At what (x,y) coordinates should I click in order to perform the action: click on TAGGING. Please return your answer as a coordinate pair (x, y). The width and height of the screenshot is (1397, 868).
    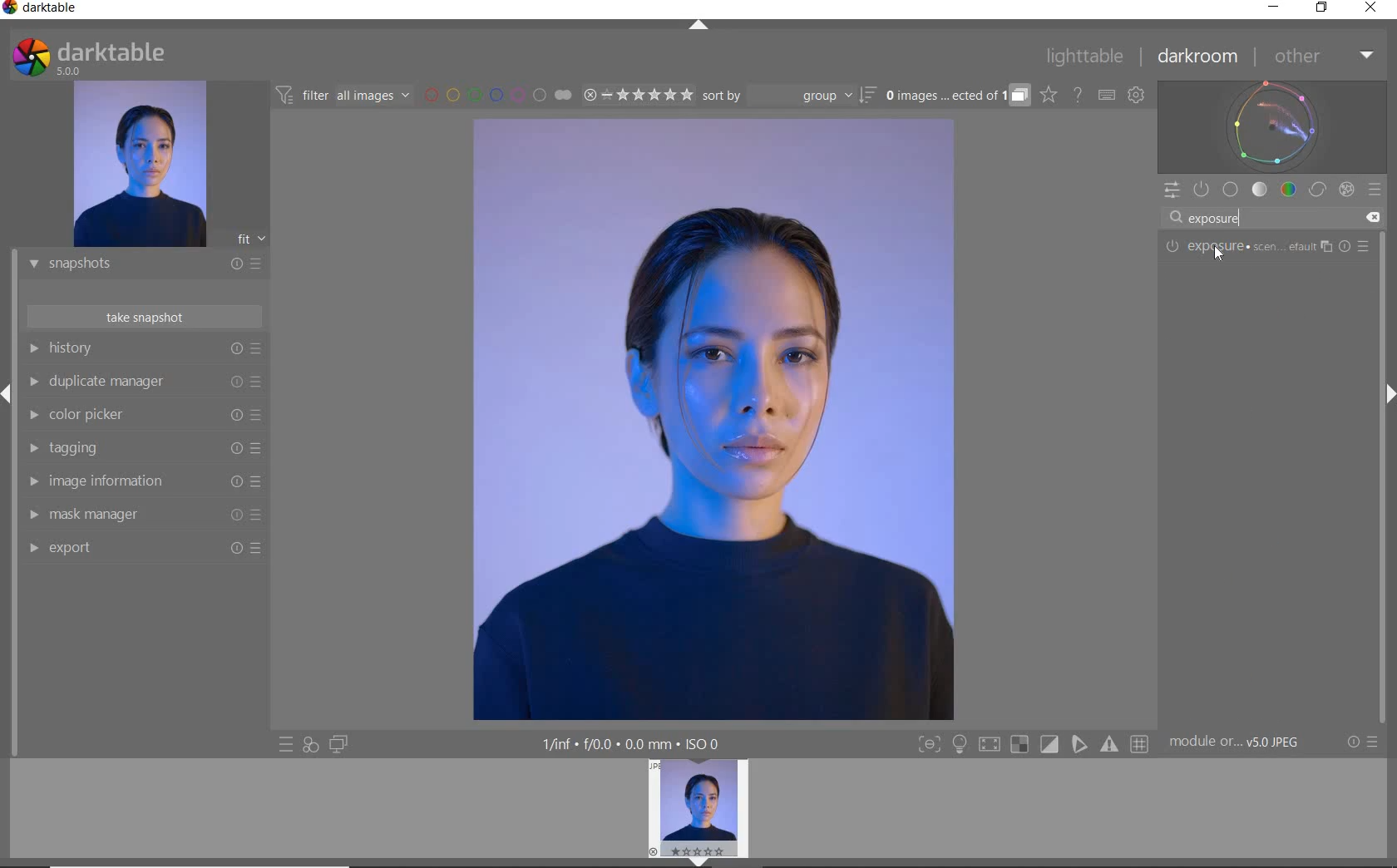
    Looking at the image, I should click on (141, 449).